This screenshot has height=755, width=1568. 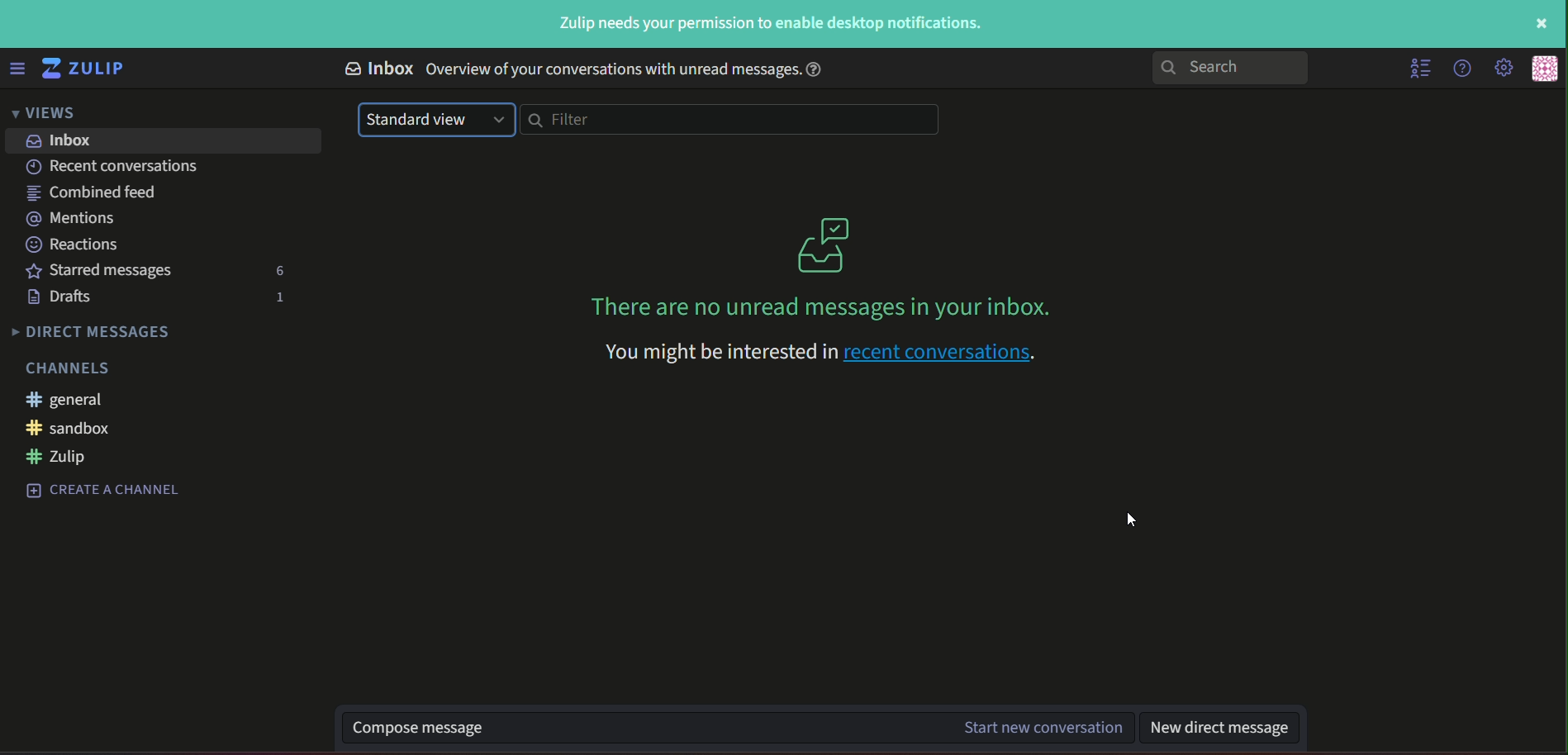 What do you see at coordinates (821, 235) in the screenshot?
I see `graphics` at bounding box center [821, 235].